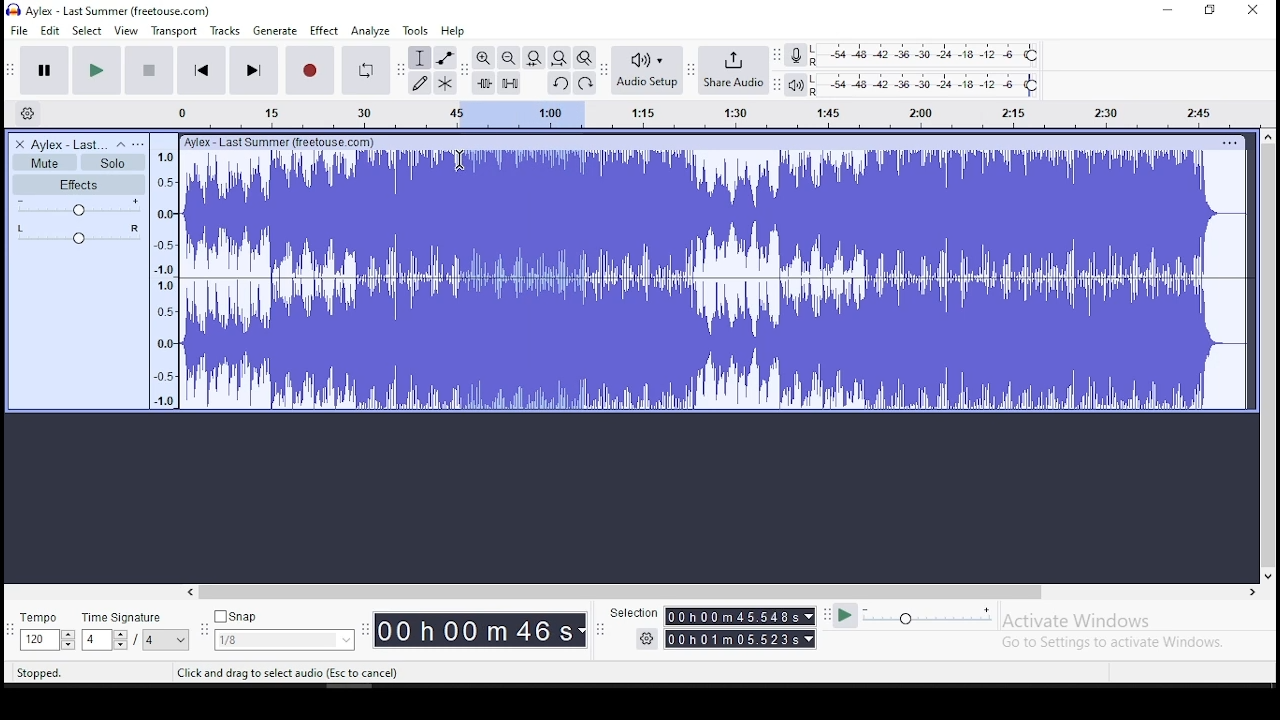 Image resolution: width=1280 pixels, height=720 pixels. What do you see at coordinates (741, 640) in the screenshot?
I see `00h00m55989s` at bounding box center [741, 640].